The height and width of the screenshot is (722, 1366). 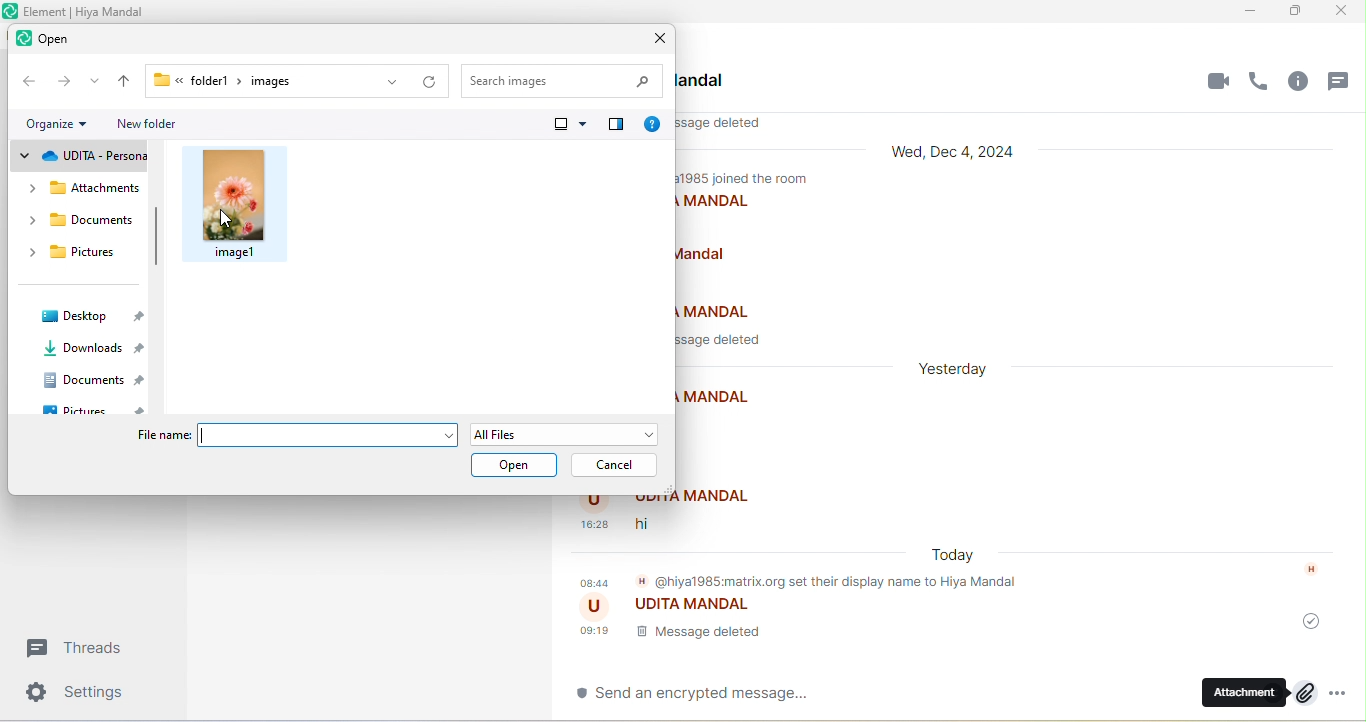 What do you see at coordinates (658, 525) in the screenshot?
I see `hi` at bounding box center [658, 525].